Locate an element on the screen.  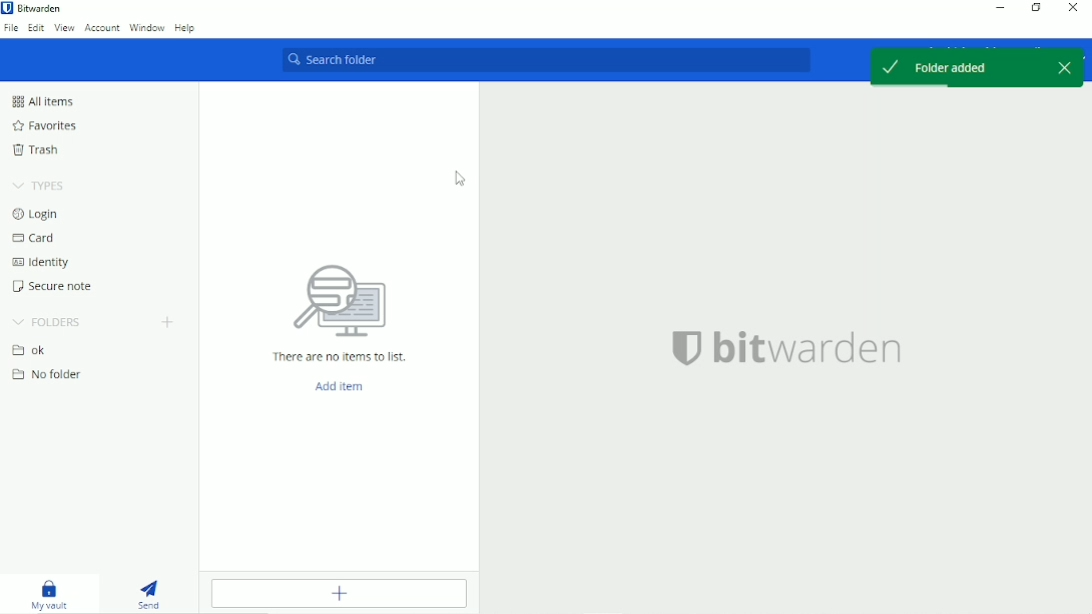
Cursor is located at coordinates (461, 179).